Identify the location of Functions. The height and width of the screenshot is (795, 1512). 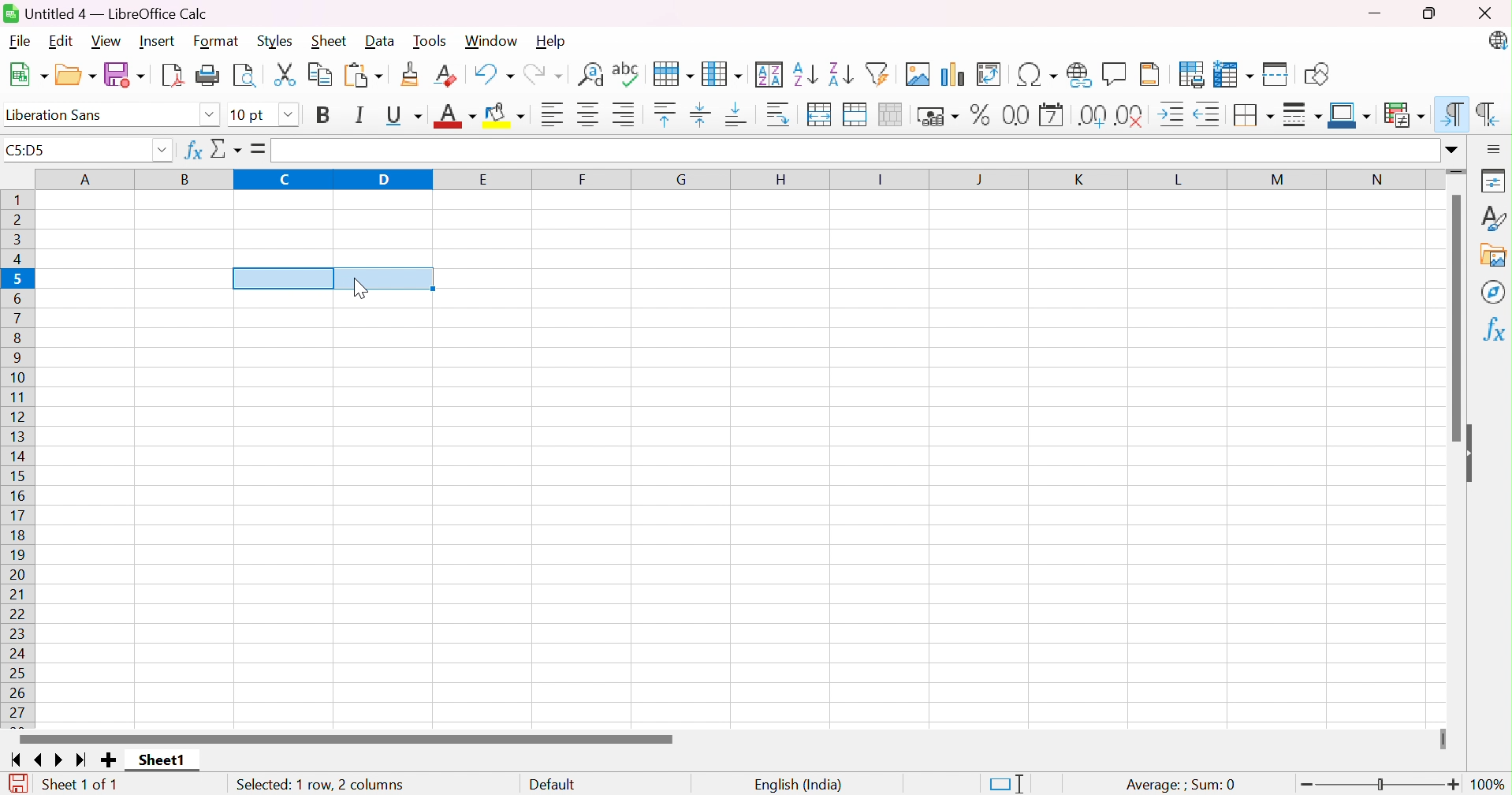
(1492, 330).